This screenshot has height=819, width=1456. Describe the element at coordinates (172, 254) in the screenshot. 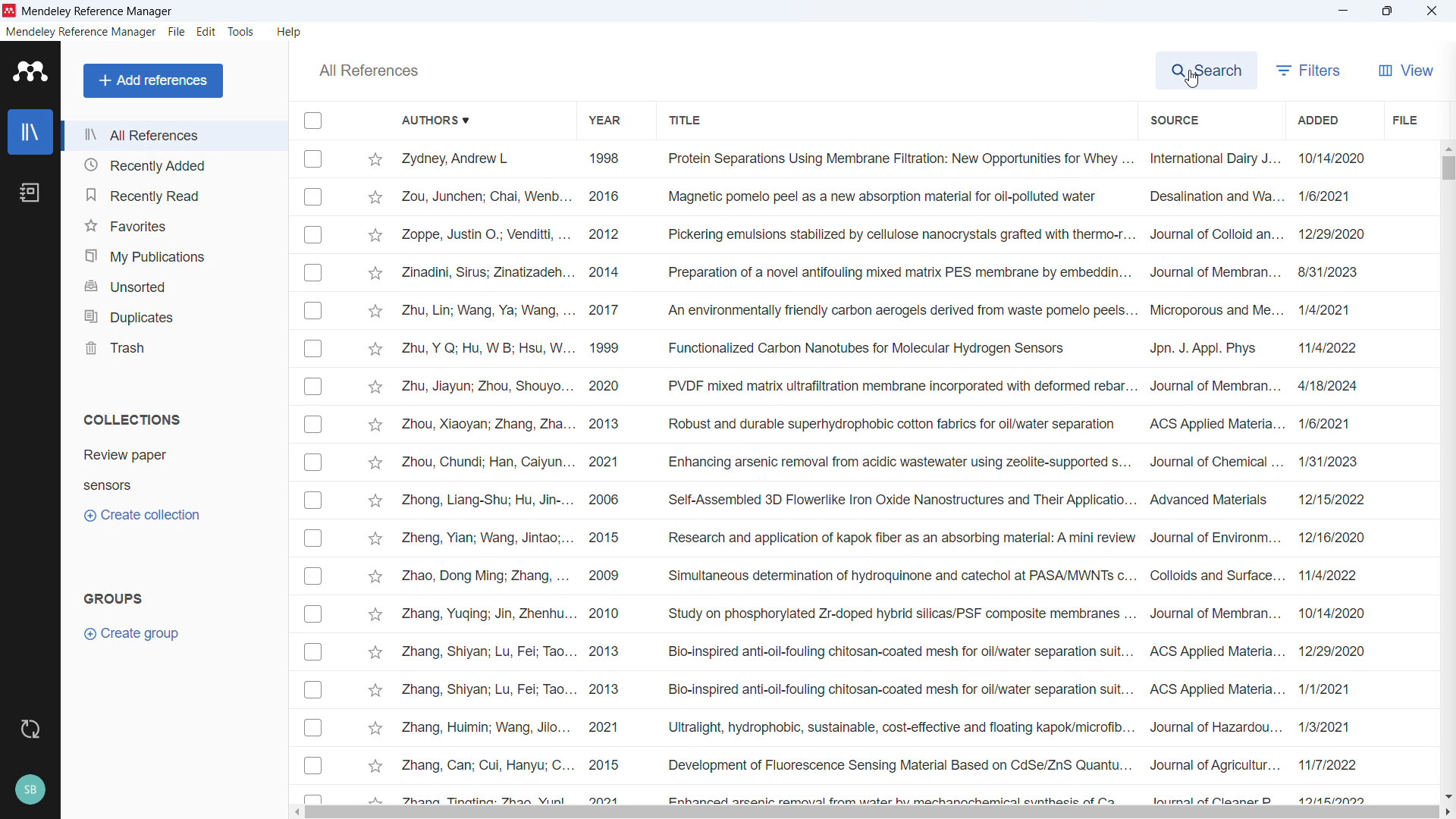

I see `My publications ` at that location.